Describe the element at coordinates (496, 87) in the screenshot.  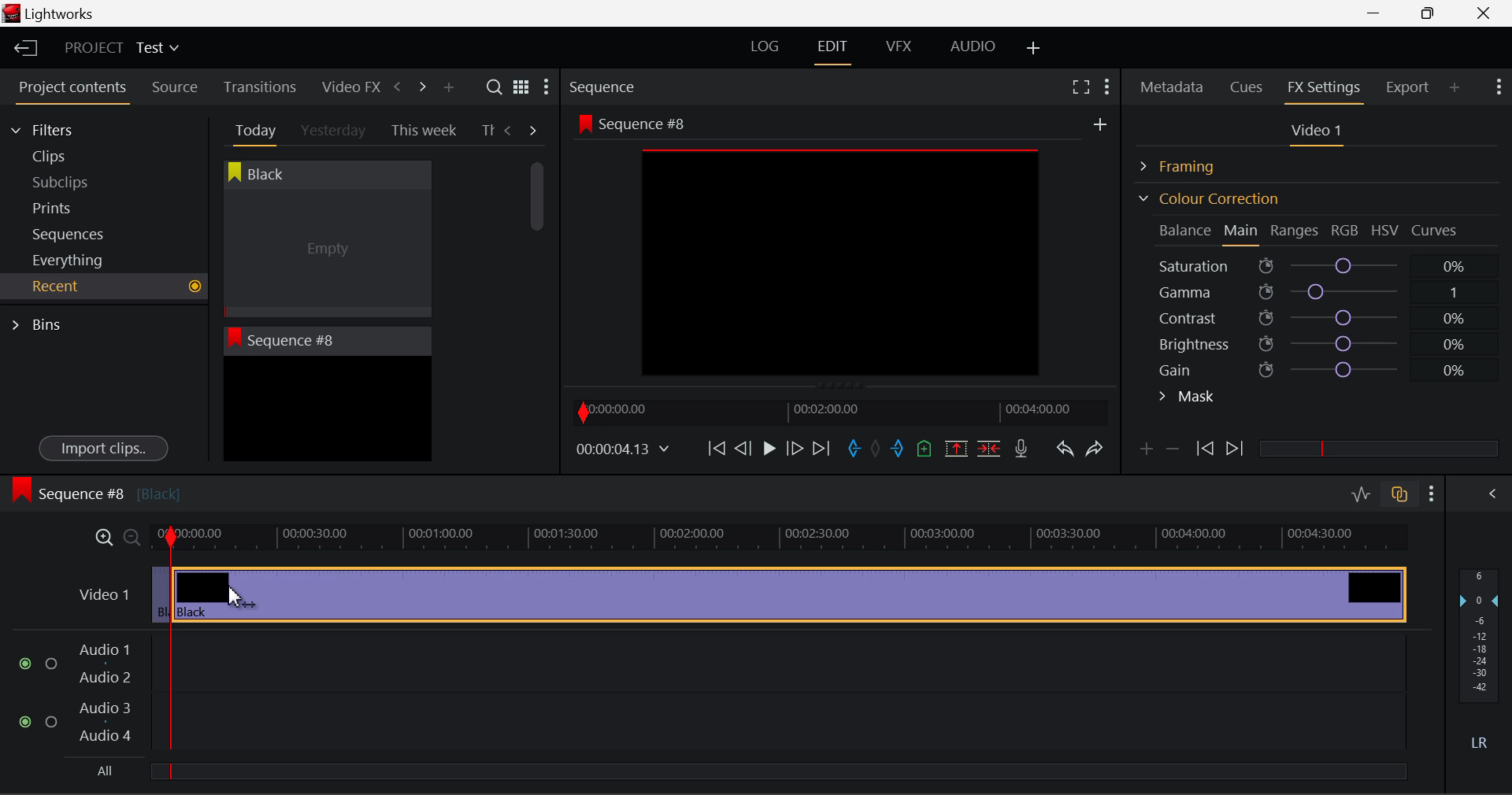
I see `Search` at that location.